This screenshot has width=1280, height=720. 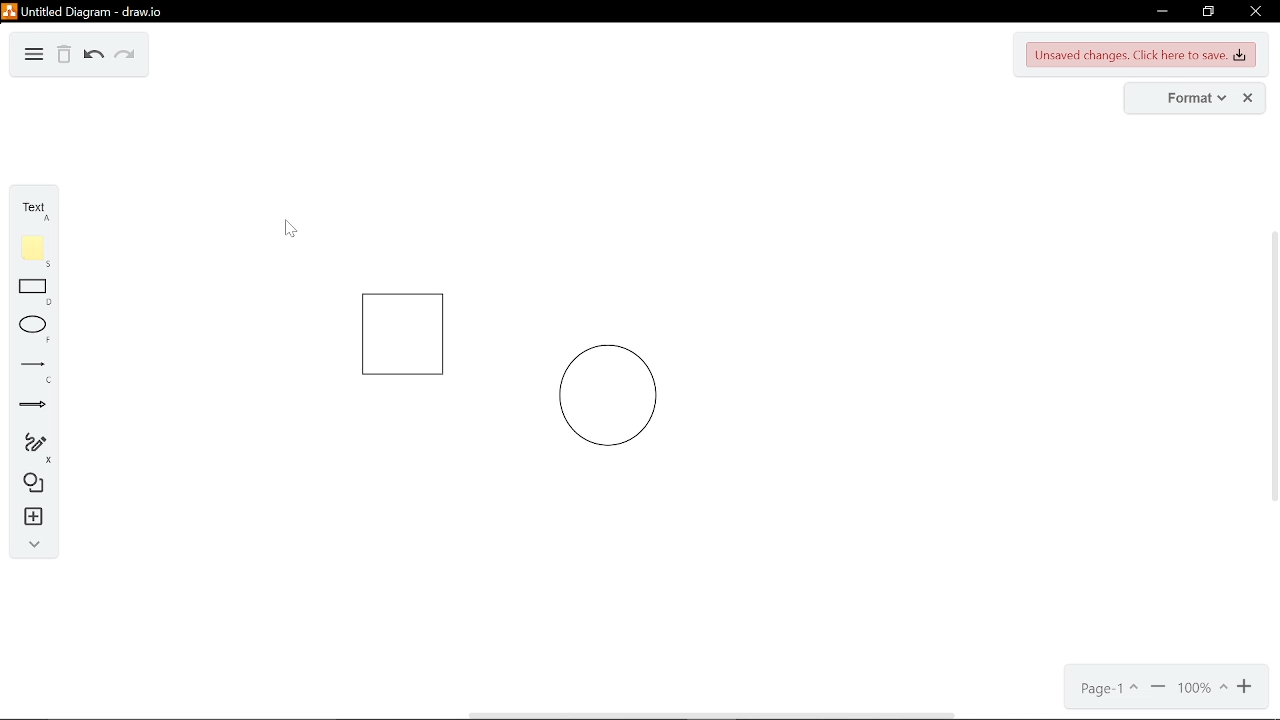 I want to click on redo, so click(x=126, y=55).